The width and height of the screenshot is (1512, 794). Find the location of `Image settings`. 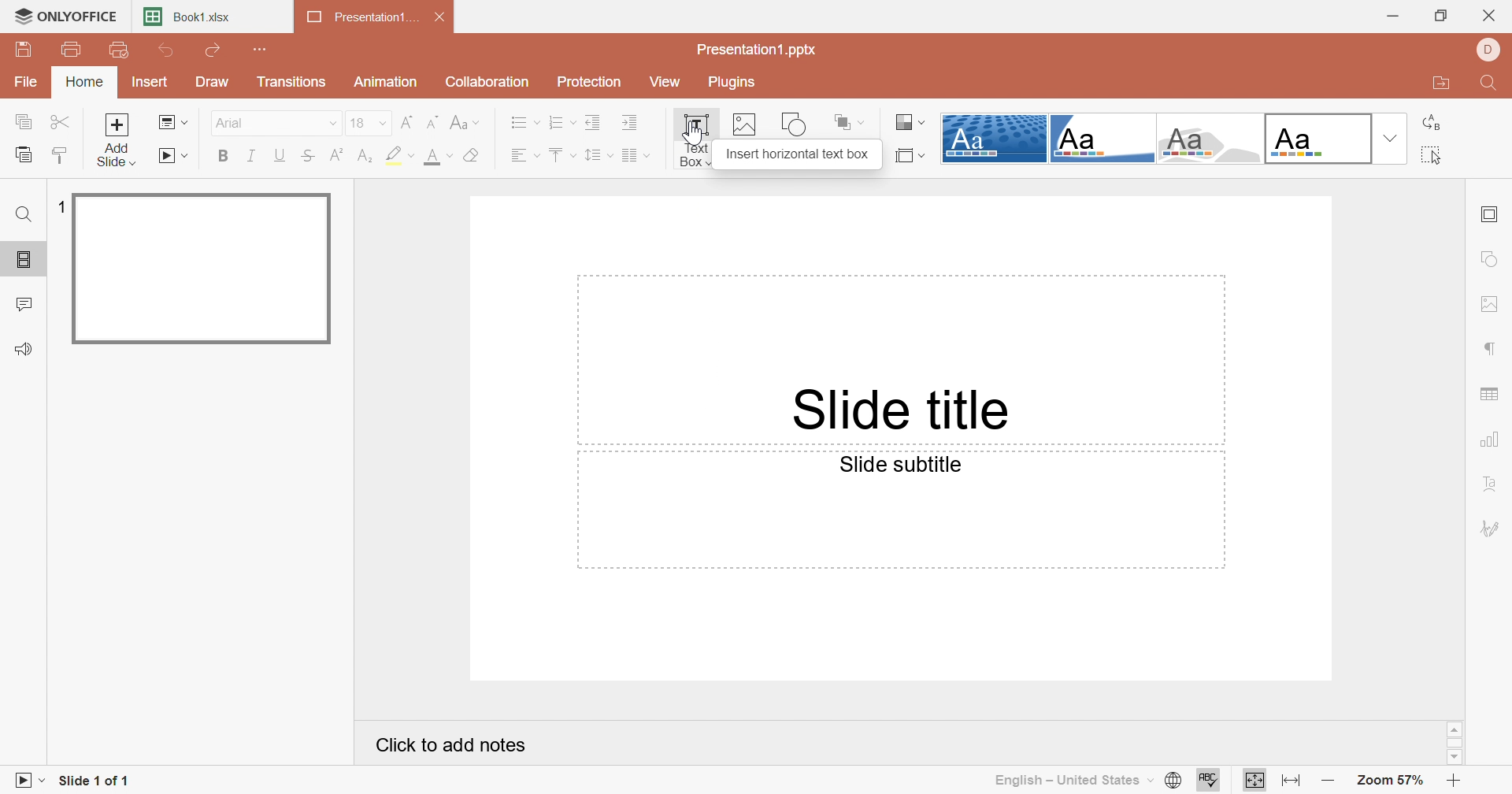

Image settings is located at coordinates (1492, 304).